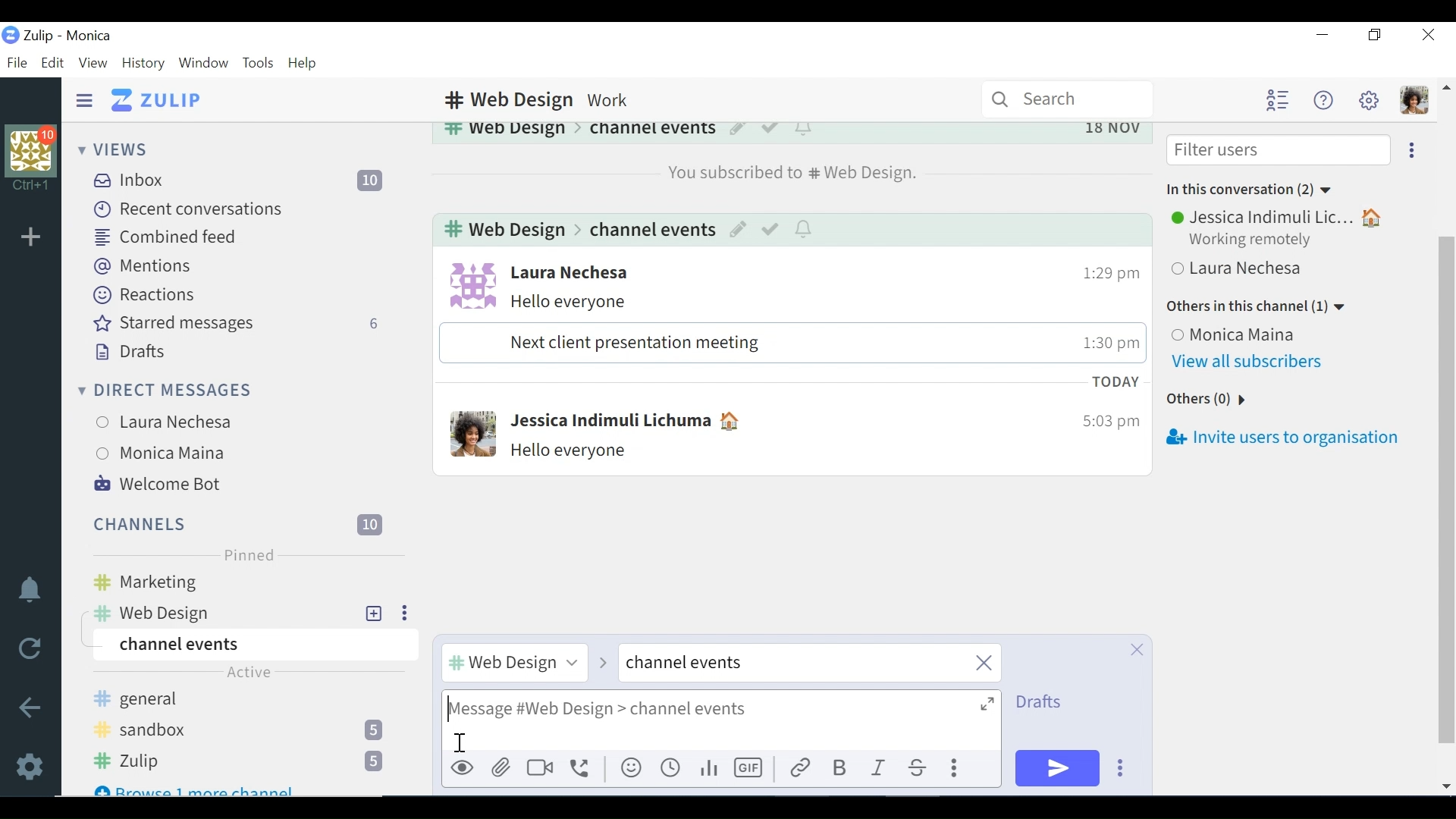 The width and height of the screenshot is (1456, 819). What do you see at coordinates (607, 419) in the screenshot?
I see `User name` at bounding box center [607, 419].